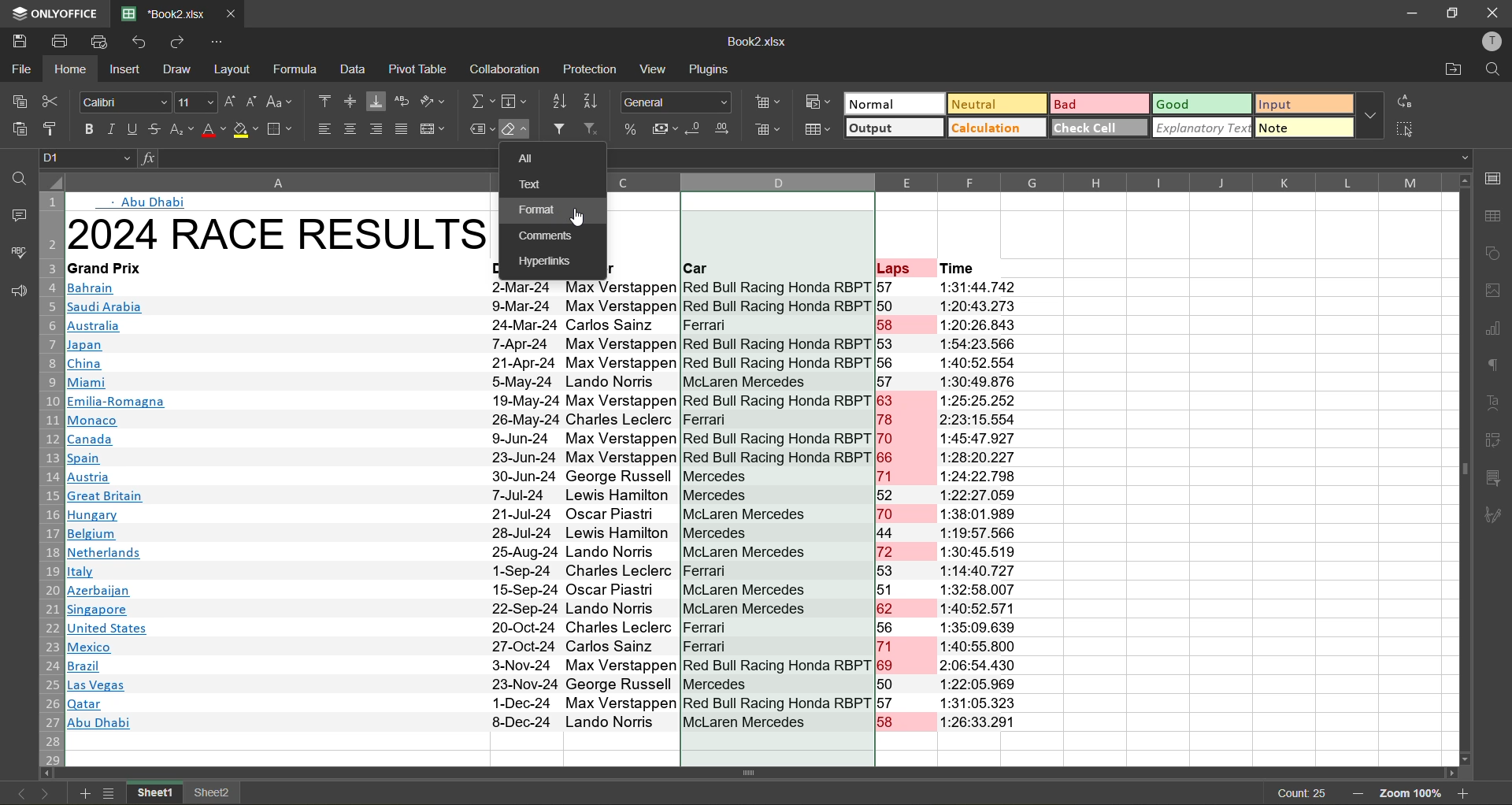 This screenshot has height=805, width=1512. Describe the element at coordinates (543, 325) in the screenshot. I see `Australia 24-Mar-24 Carlos Sainz  |Ferrari 158 1:20:26.843` at that location.